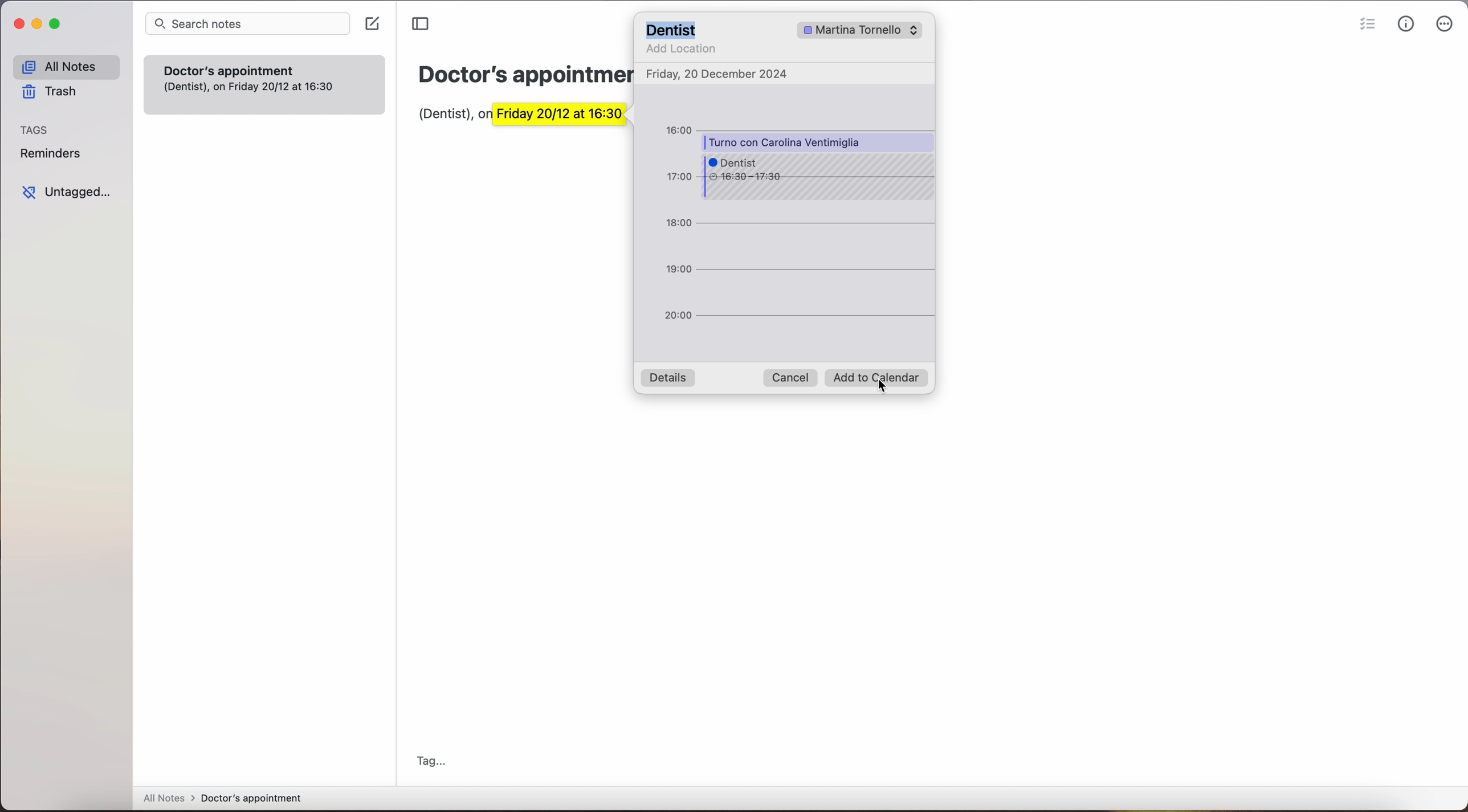  I want to click on (Dentist), on, so click(447, 117).